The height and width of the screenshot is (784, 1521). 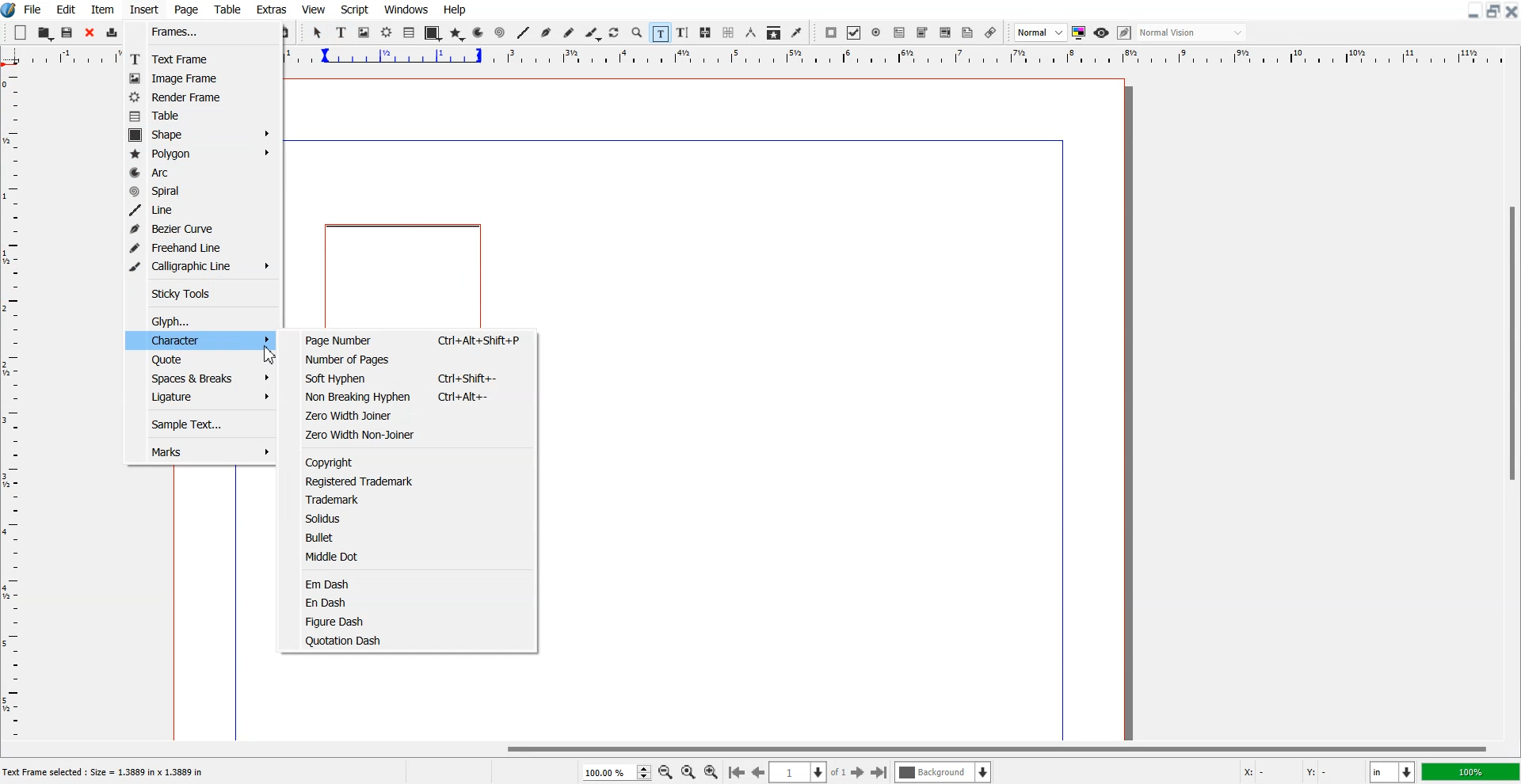 I want to click on New, so click(x=21, y=32).